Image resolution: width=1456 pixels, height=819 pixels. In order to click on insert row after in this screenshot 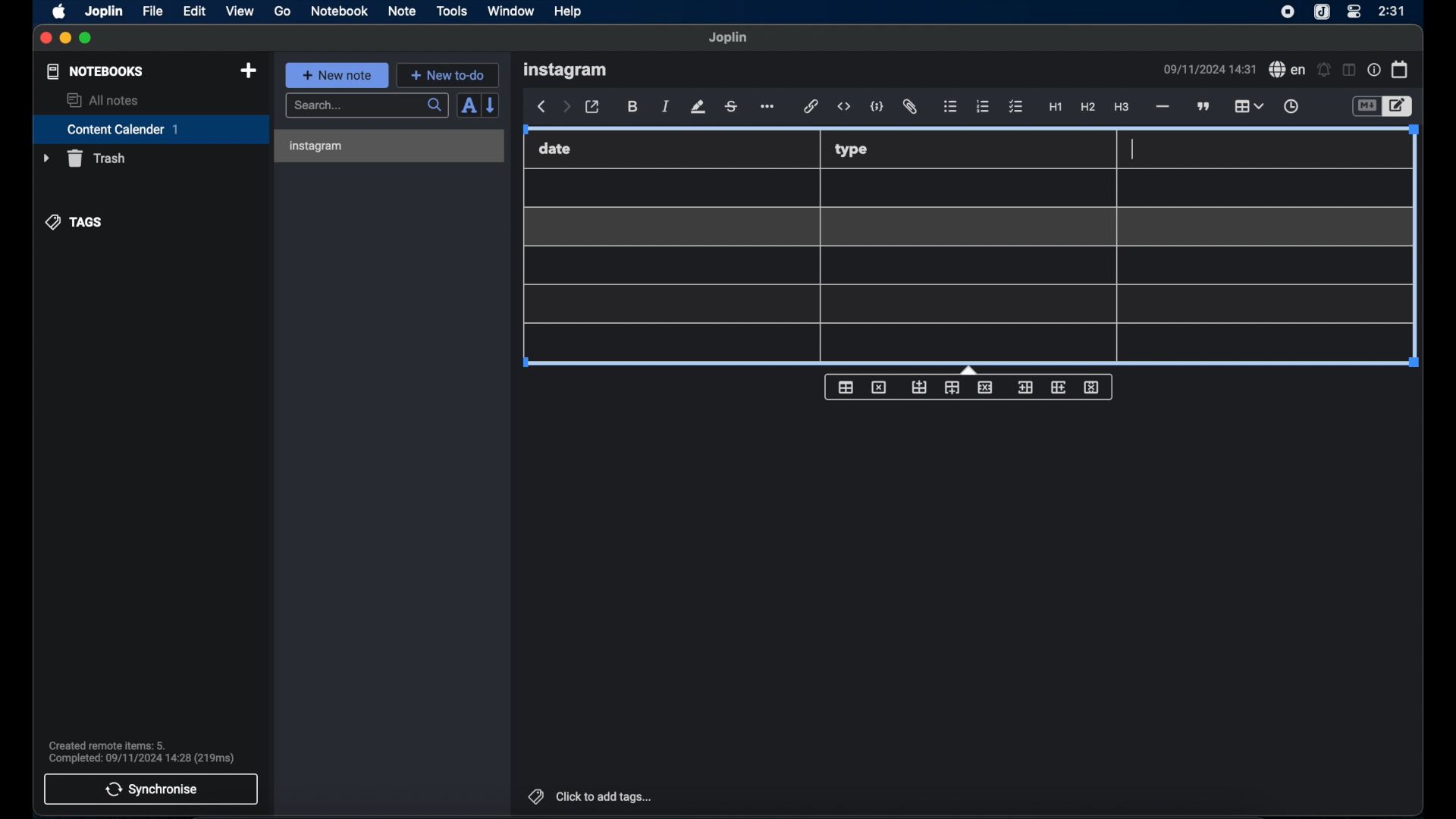, I will do `click(952, 388)`.